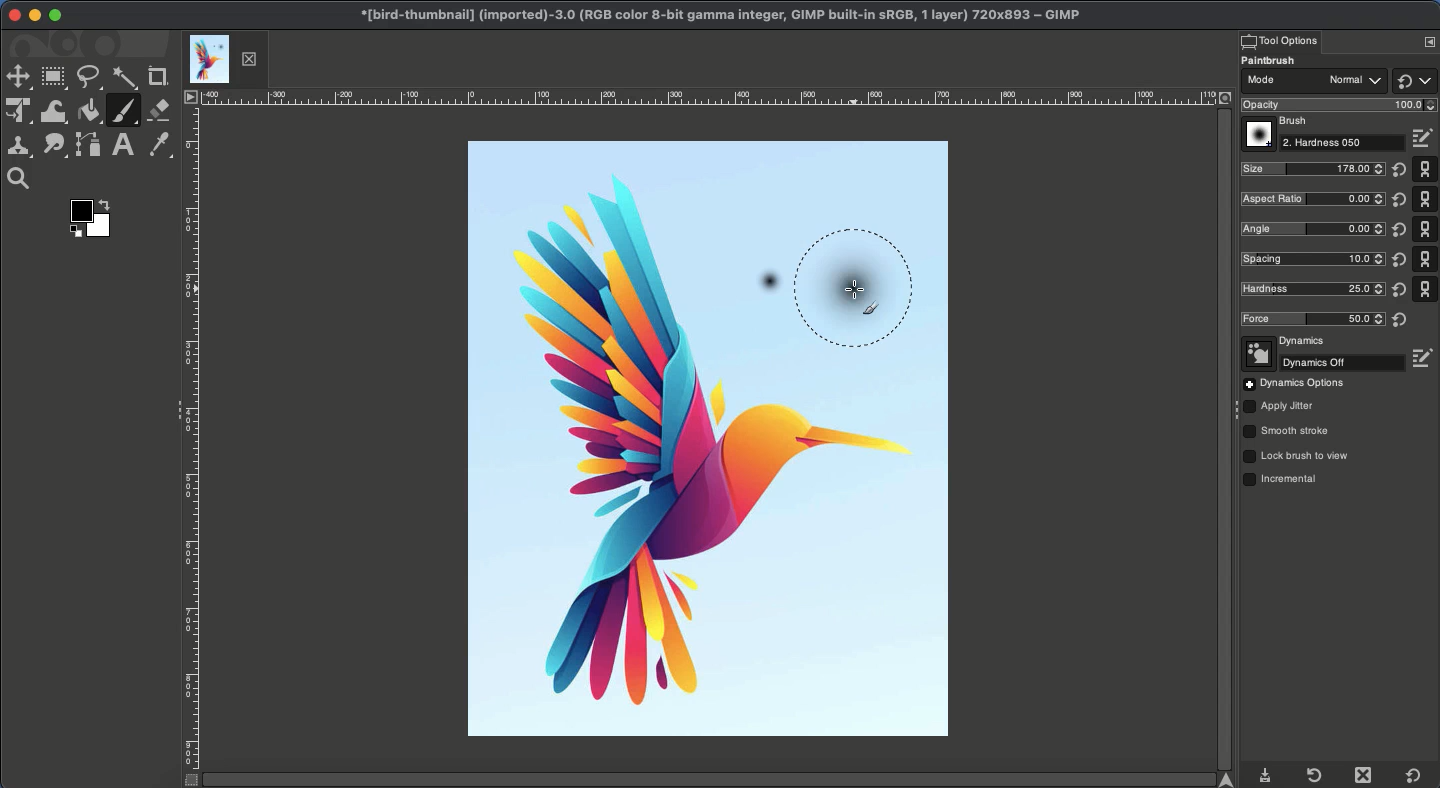 The width and height of the screenshot is (1440, 788). I want to click on Default, so click(1414, 776).